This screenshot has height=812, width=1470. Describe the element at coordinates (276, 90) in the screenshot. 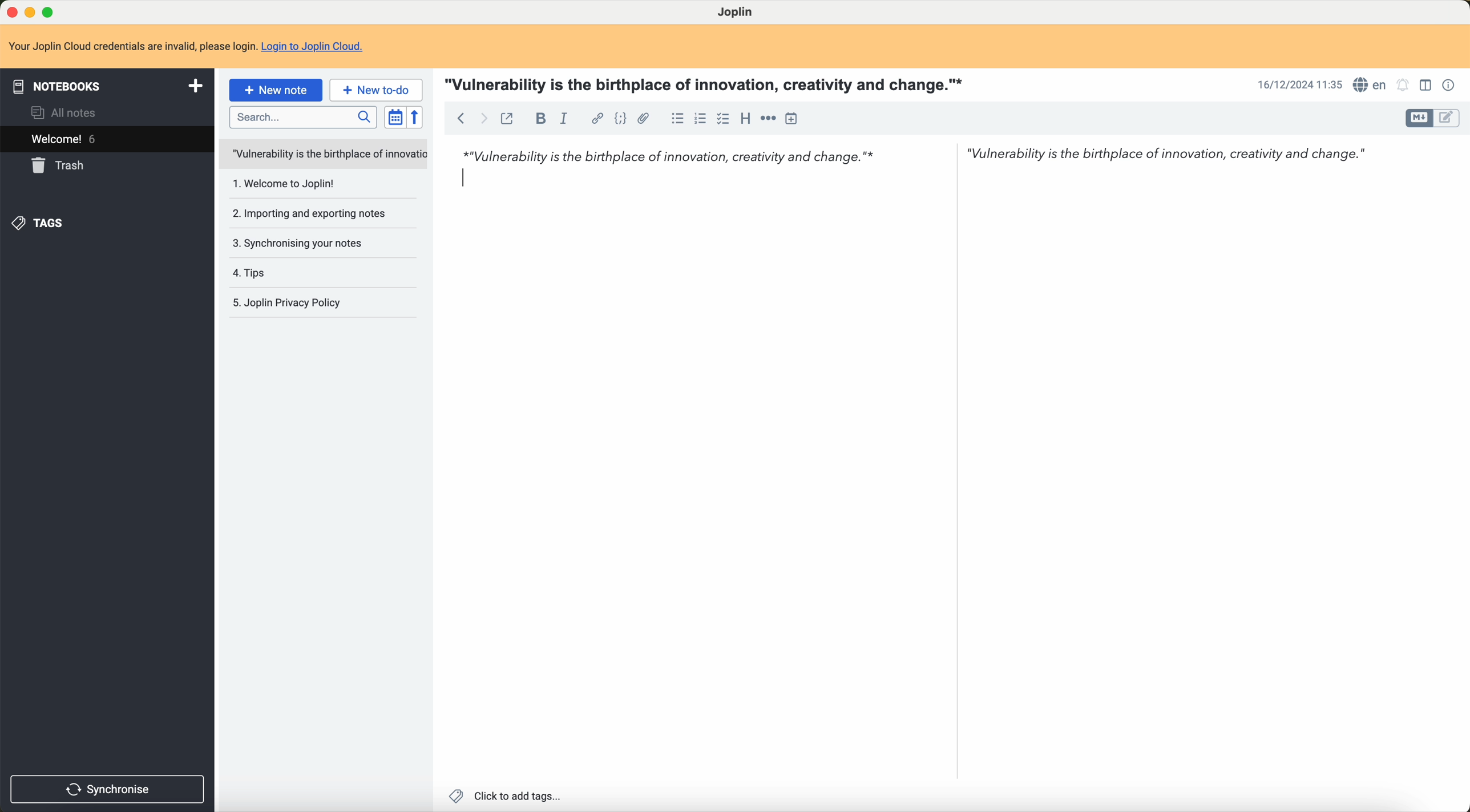

I see `new note` at that location.